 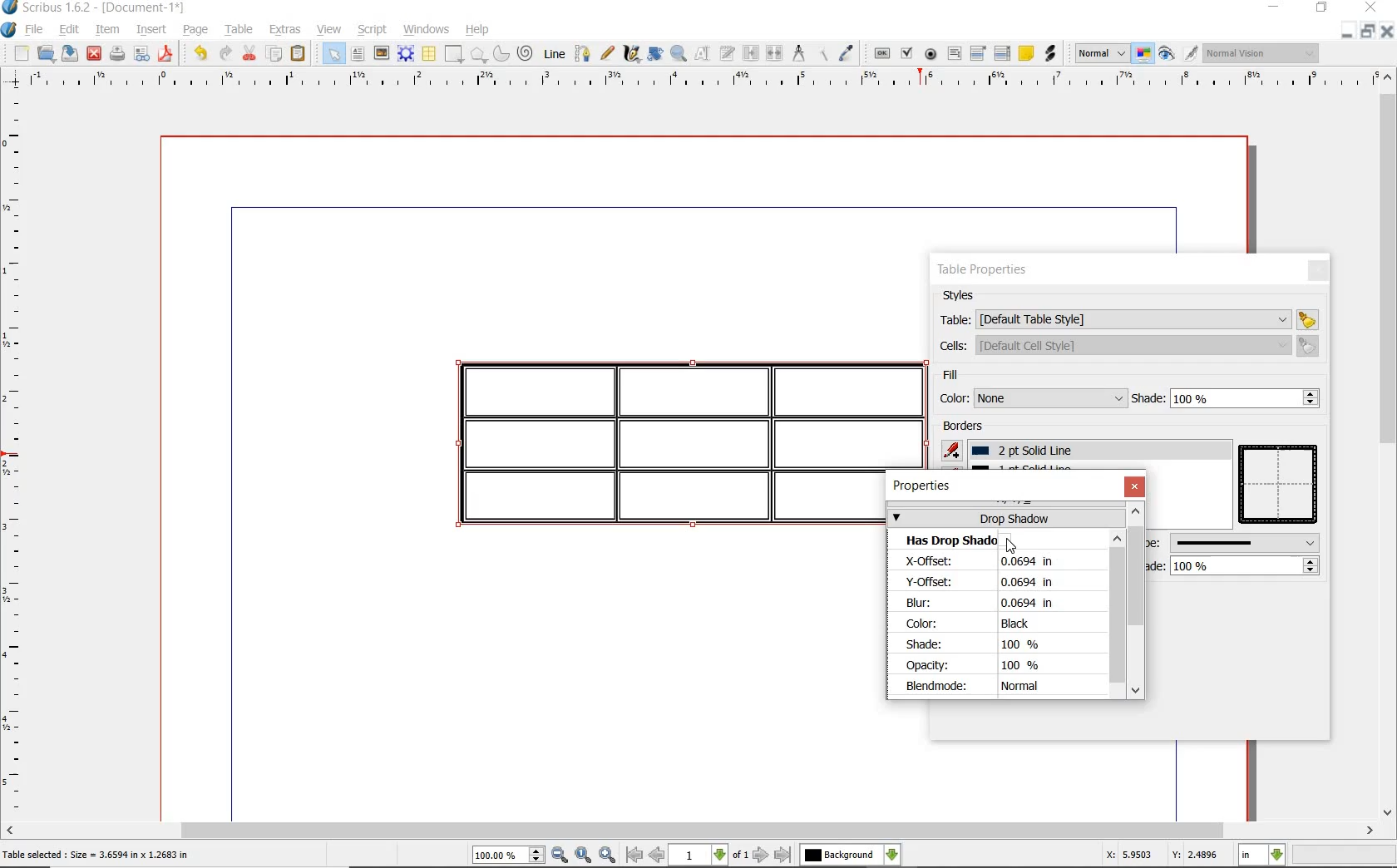 I want to click on zoom out, so click(x=560, y=856).